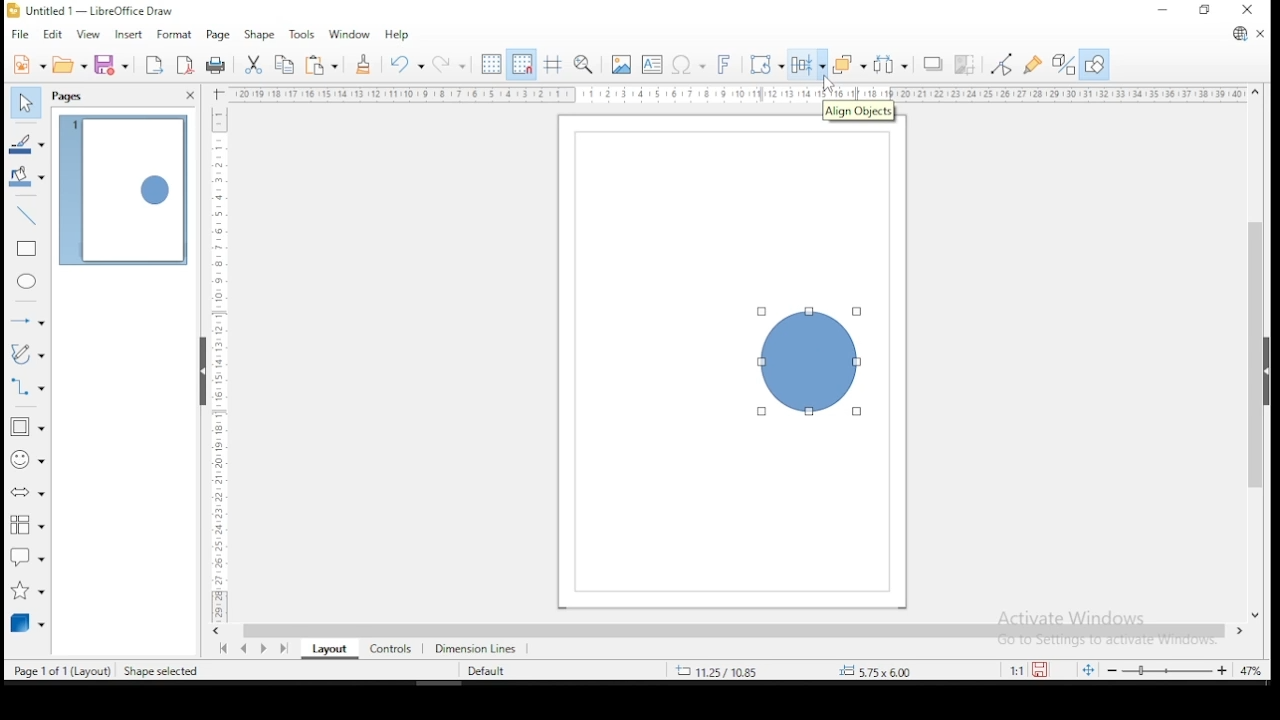  I want to click on curves and polygons, so click(28, 354).